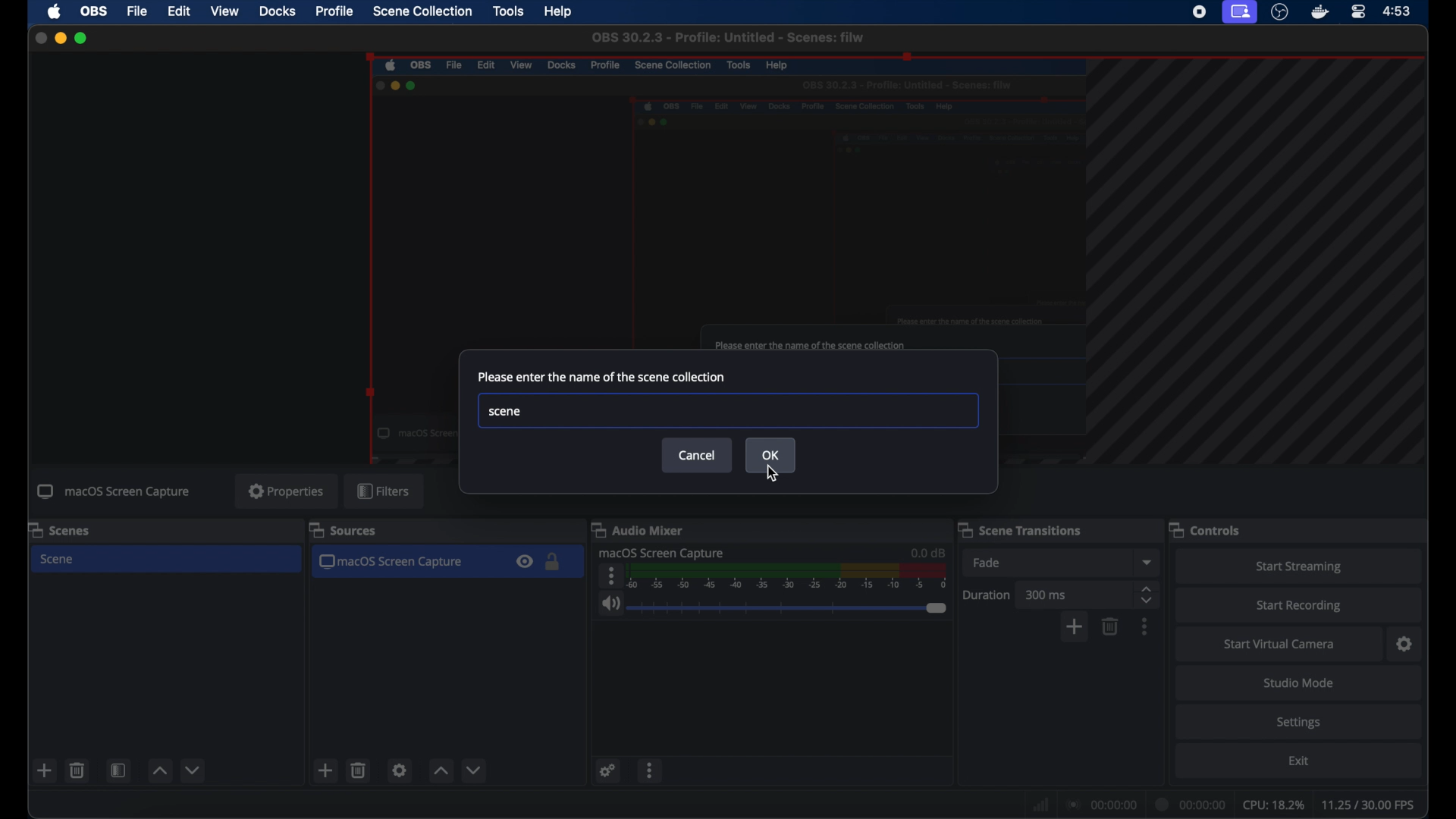 The width and height of the screenshot is (1456, 819). Describe the element at coordinates (1110, 626) in the screenshot. I see `trash` at that location.